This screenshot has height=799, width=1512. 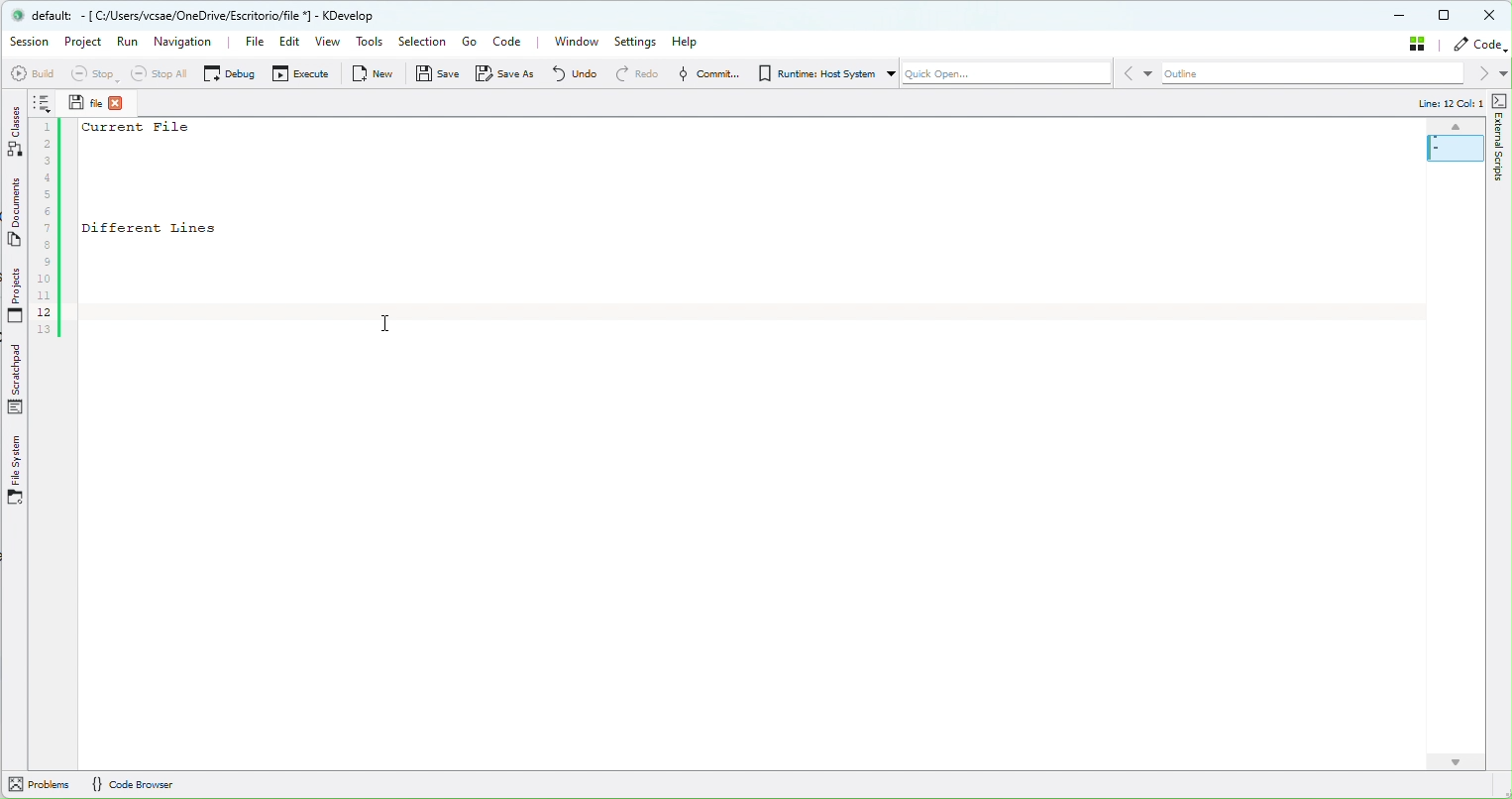 I want to click on Map, so click(x=1453, y=145).